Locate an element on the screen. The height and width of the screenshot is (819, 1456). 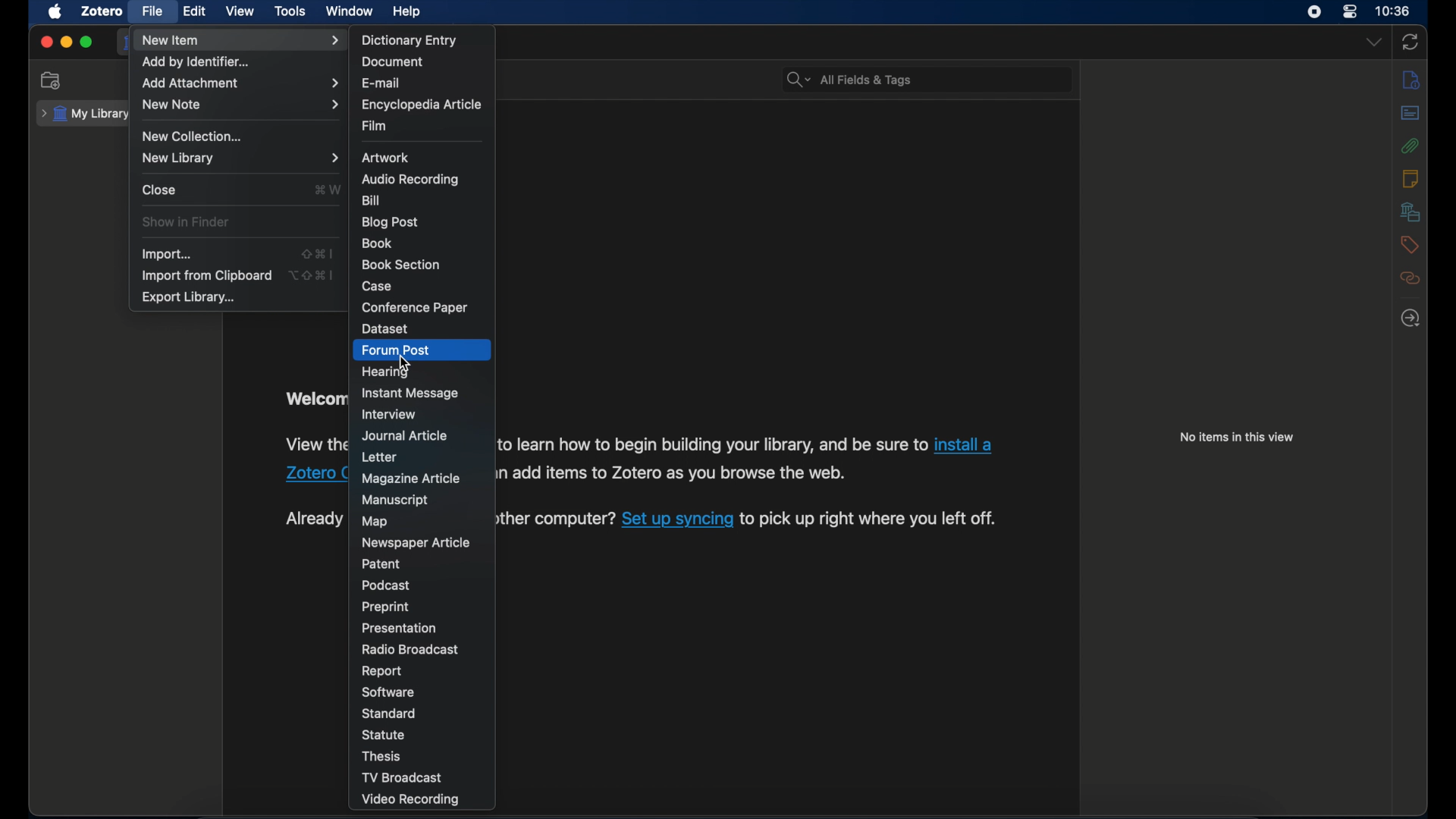
dictionary entry is located at coordinates (409, 39).